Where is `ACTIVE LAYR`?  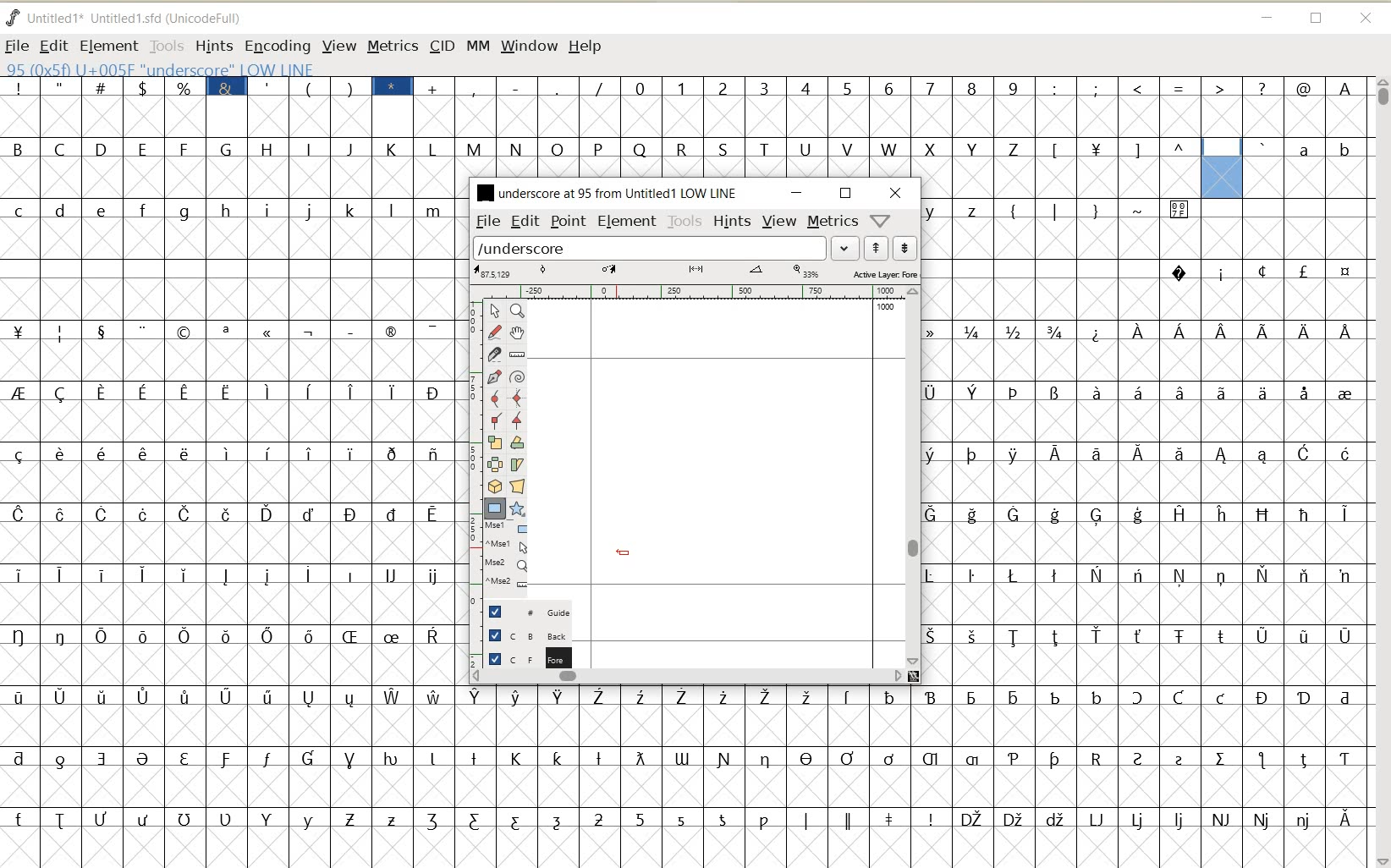 ACTIVE LAYR is located at coordinates (695, 272).